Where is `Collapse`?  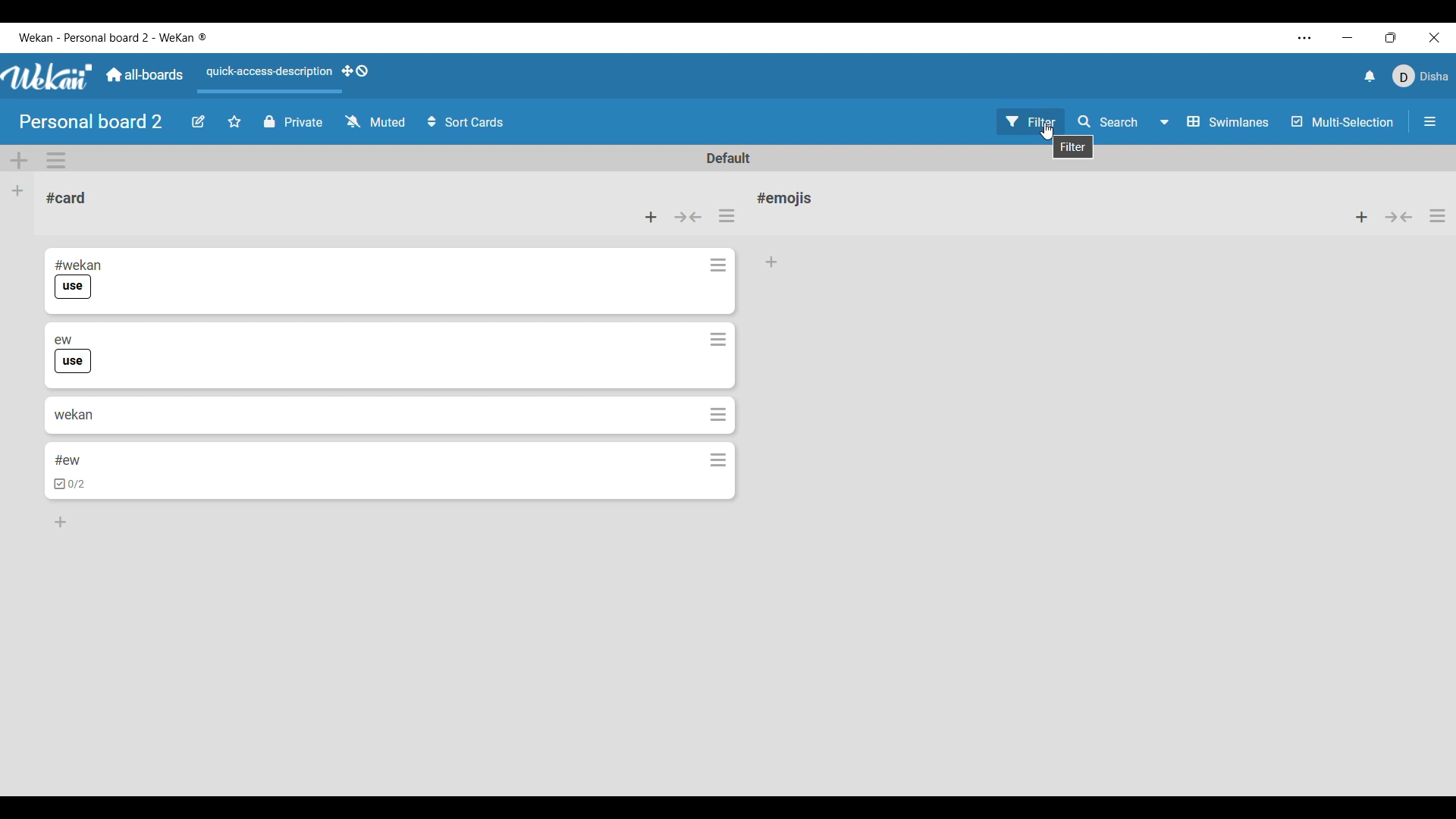 Collapse is located at coordinates (1399, 217).